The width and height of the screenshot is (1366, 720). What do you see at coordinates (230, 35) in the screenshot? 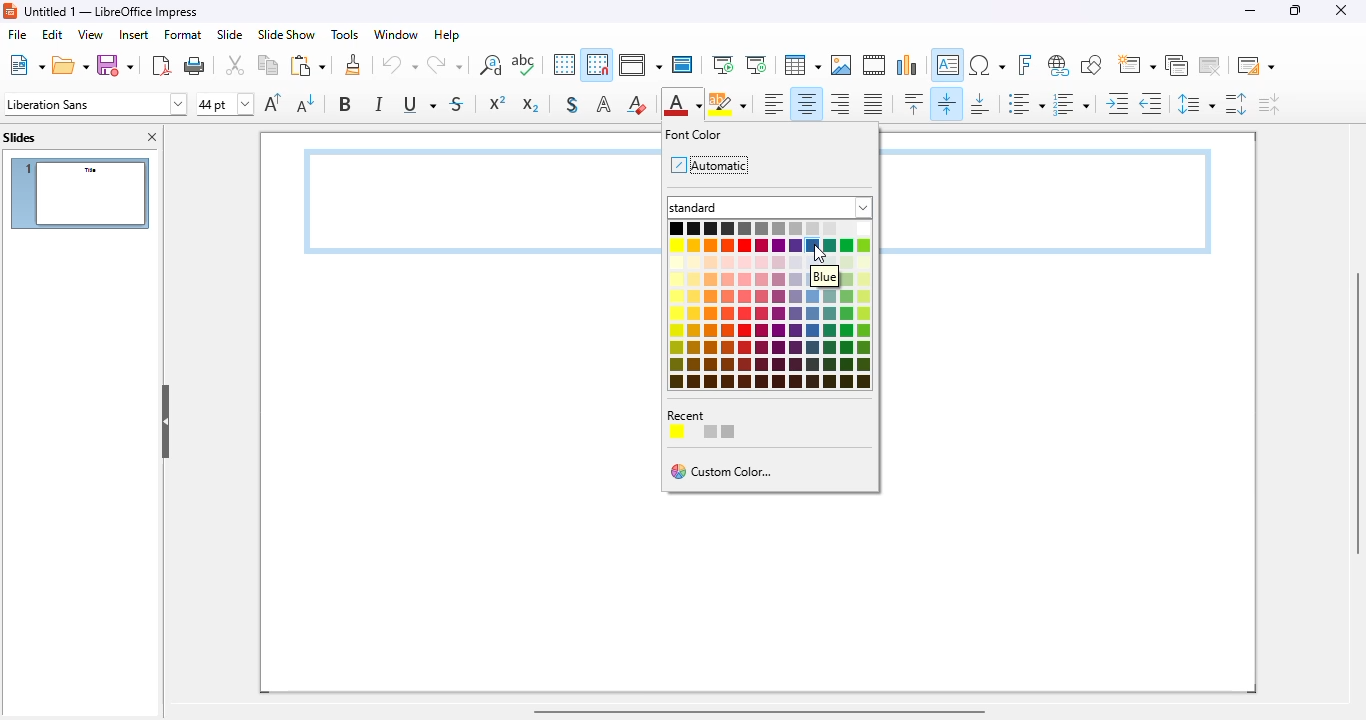
I see `slide` at bounding box center [230, 35].